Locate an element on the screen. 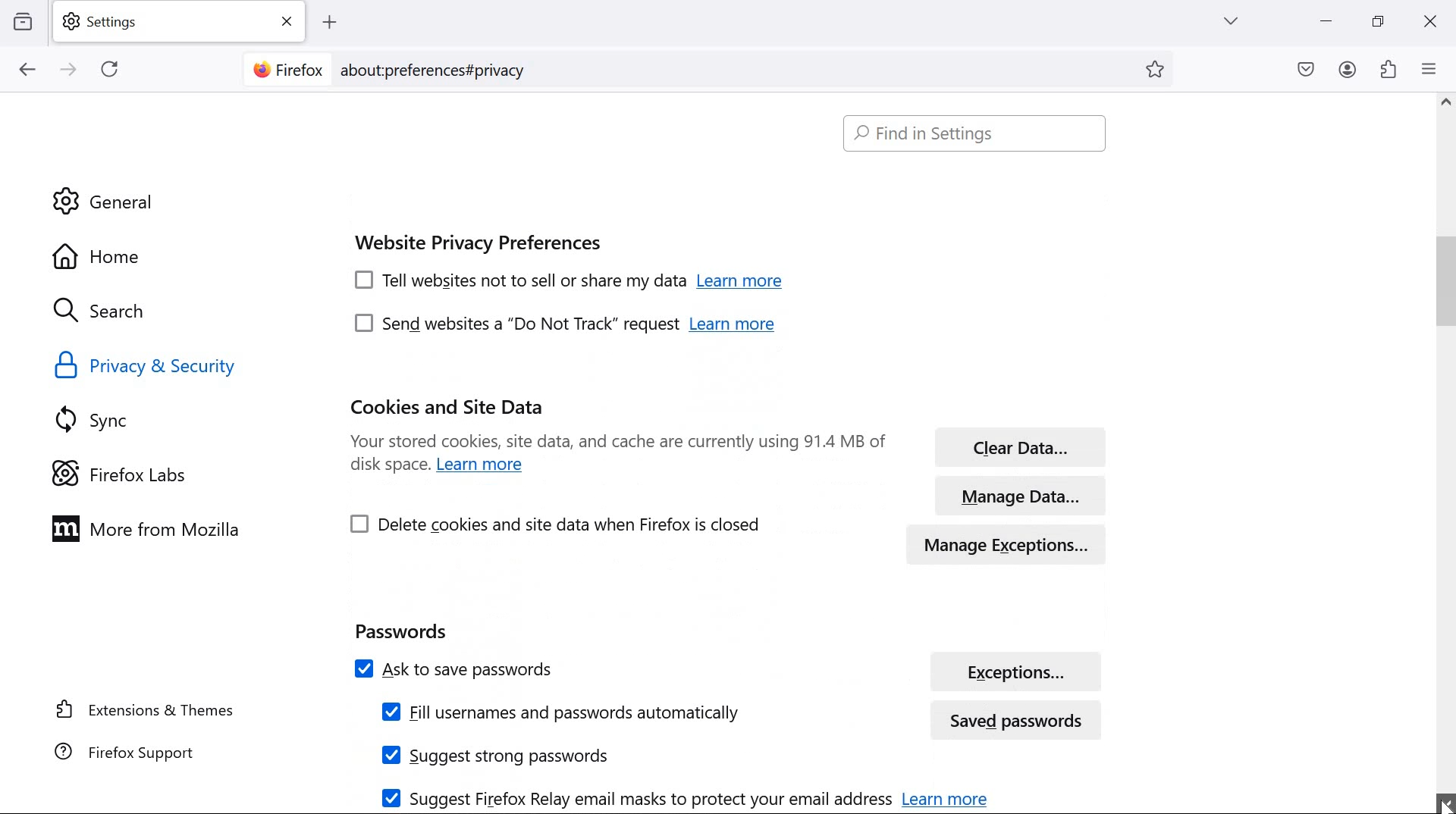 Image resolution: width=1456 pixels, height=814 pixels. Firefox support is located at coordinates (128, 751).